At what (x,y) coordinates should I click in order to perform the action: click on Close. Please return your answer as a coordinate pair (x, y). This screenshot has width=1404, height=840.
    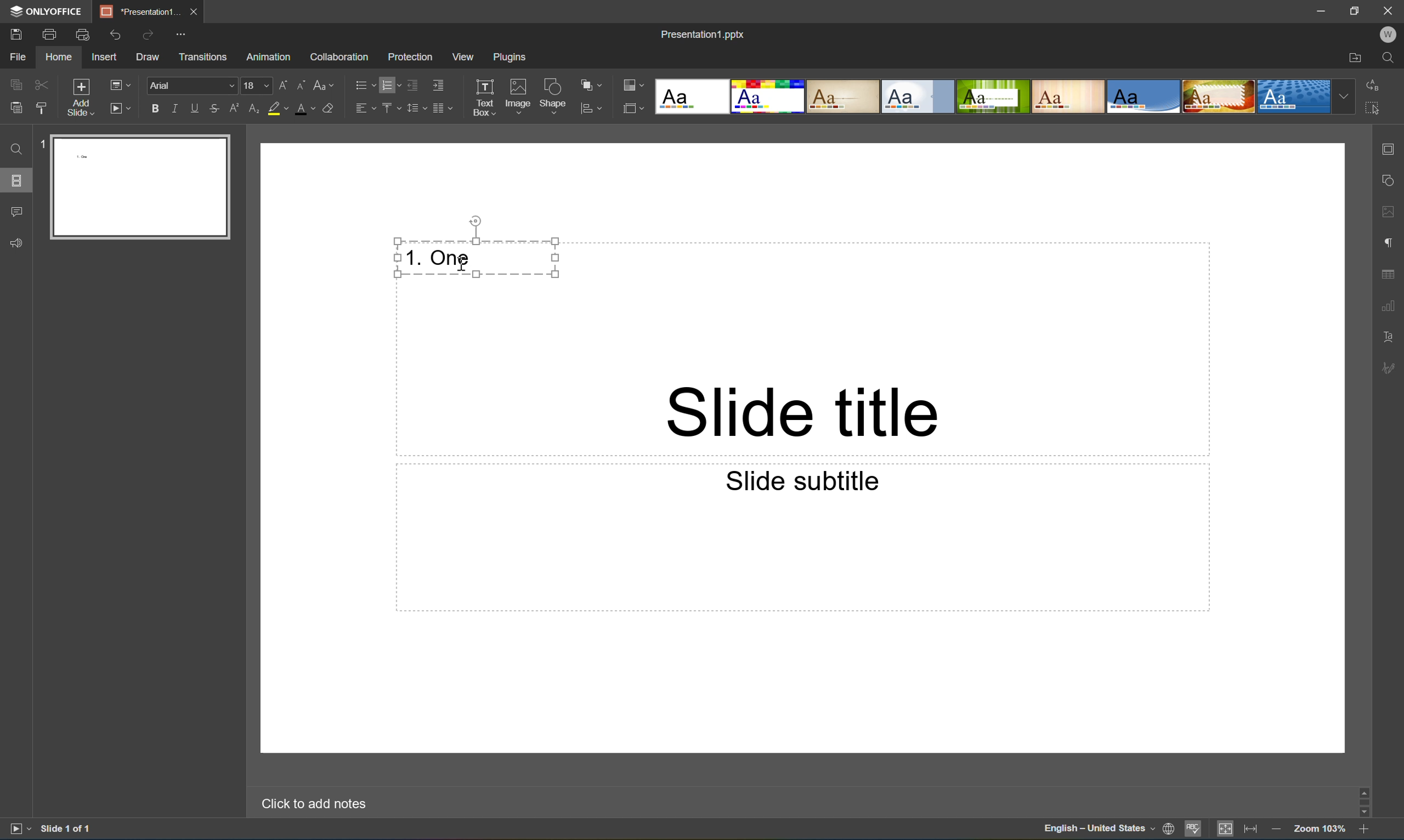
    Looking at the image, I should click on (197, 12).